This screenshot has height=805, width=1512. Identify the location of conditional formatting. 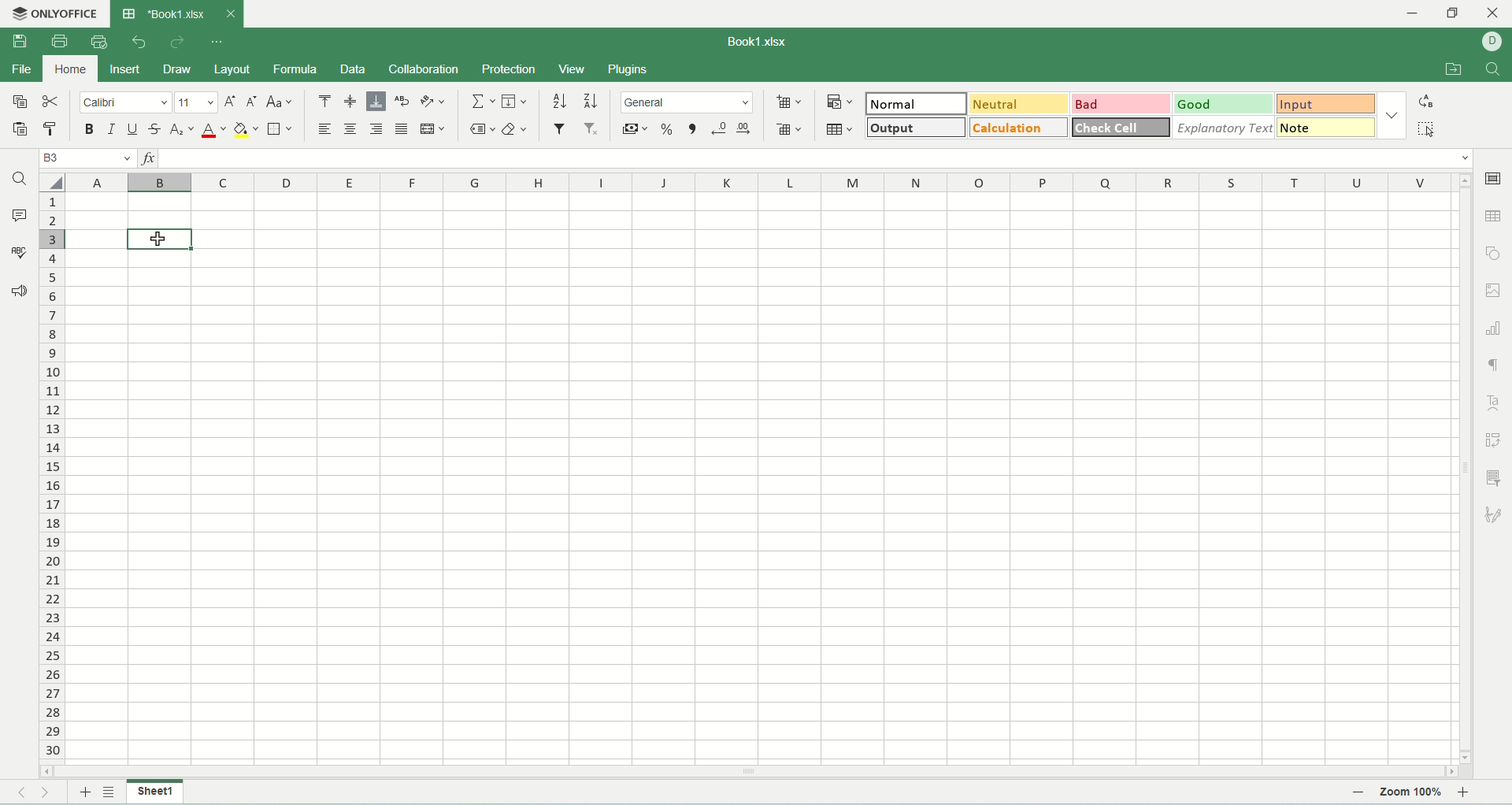
(843, 102).